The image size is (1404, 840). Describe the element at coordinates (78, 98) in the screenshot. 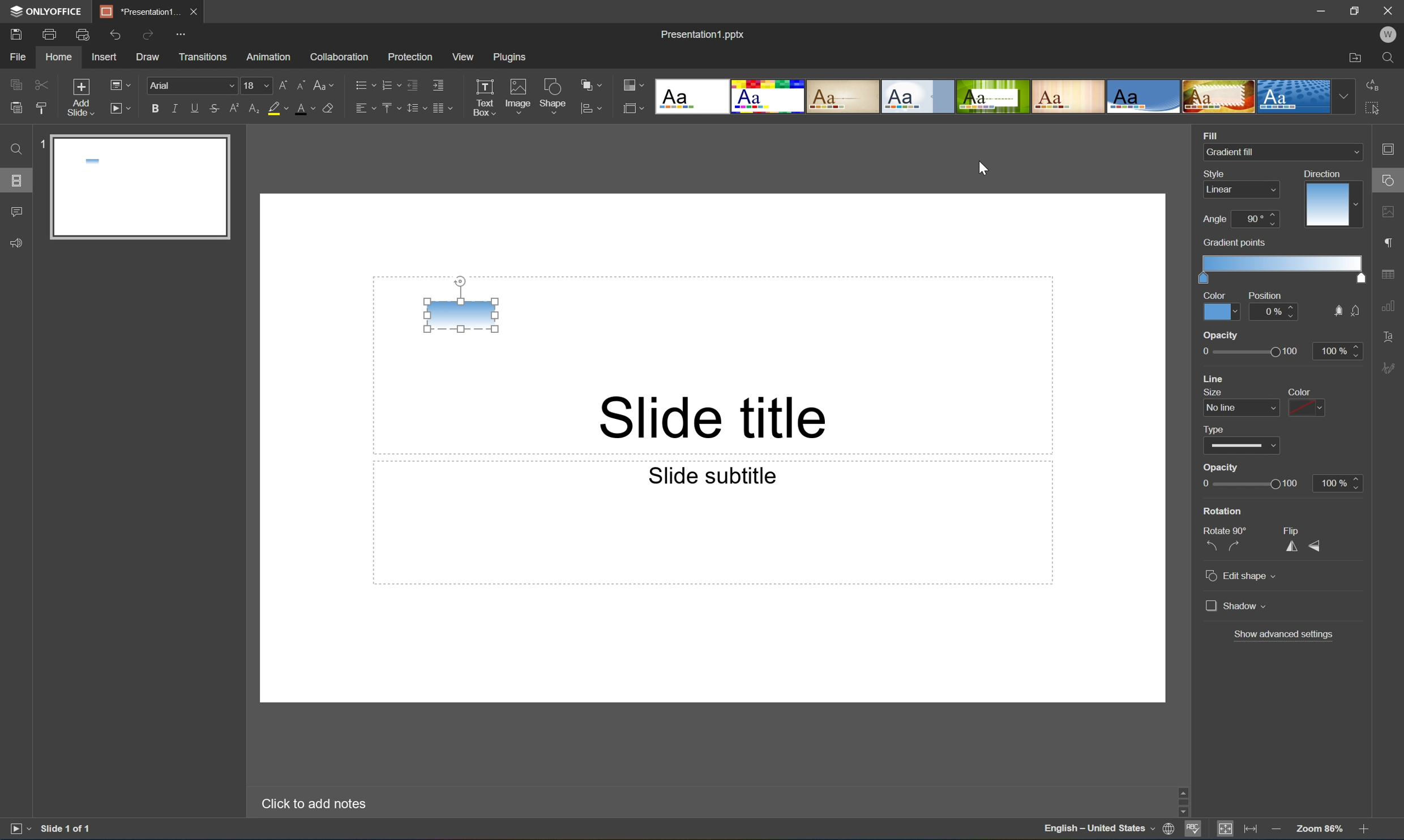

I see `Add slide` at that location.